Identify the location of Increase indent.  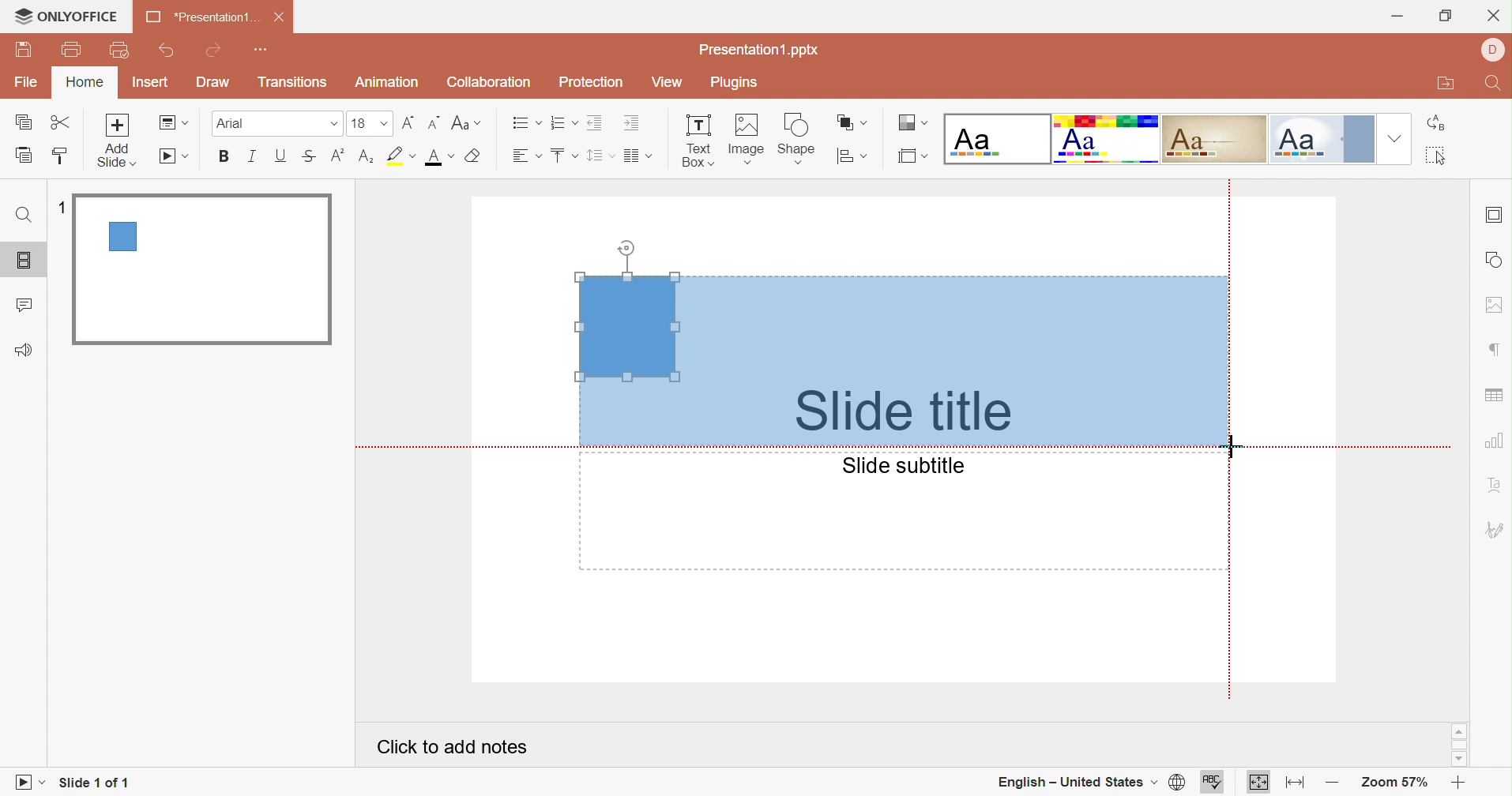
(634, 122).